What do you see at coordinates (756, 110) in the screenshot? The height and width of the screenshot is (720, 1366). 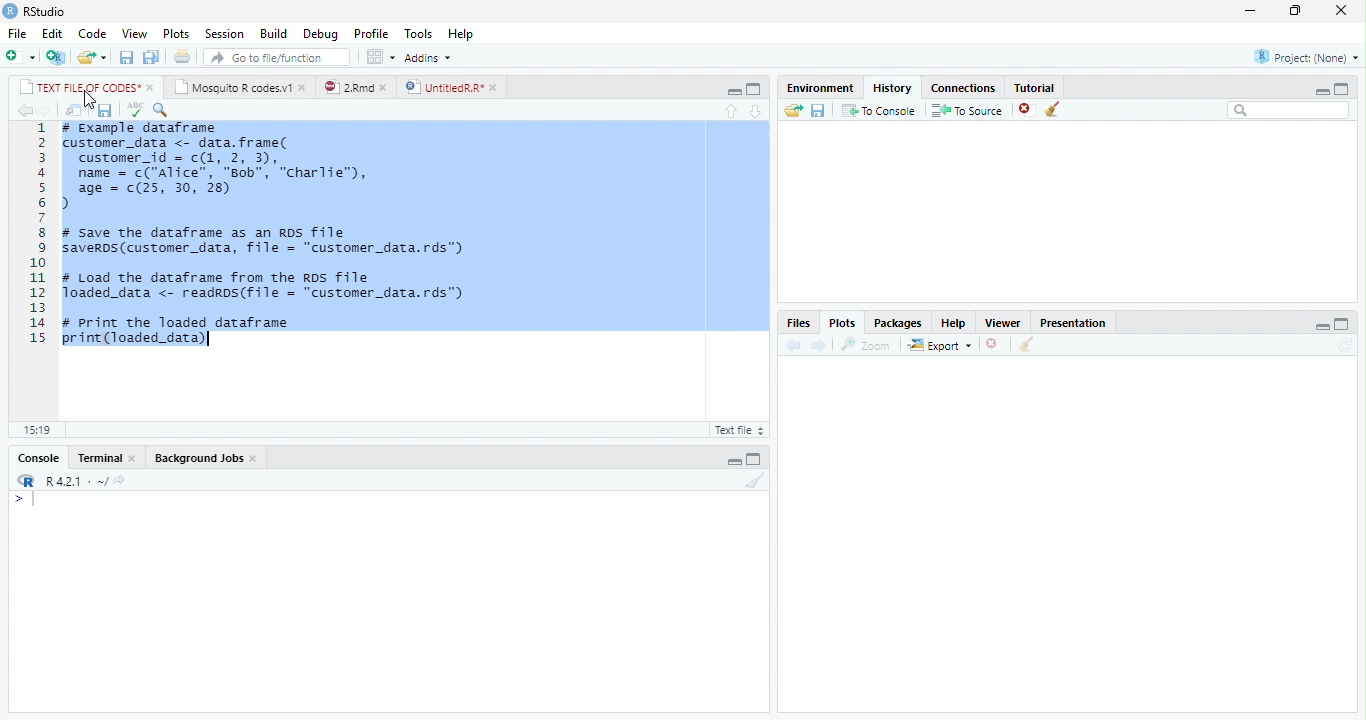 I see `down` at bounding box center [756, 110].